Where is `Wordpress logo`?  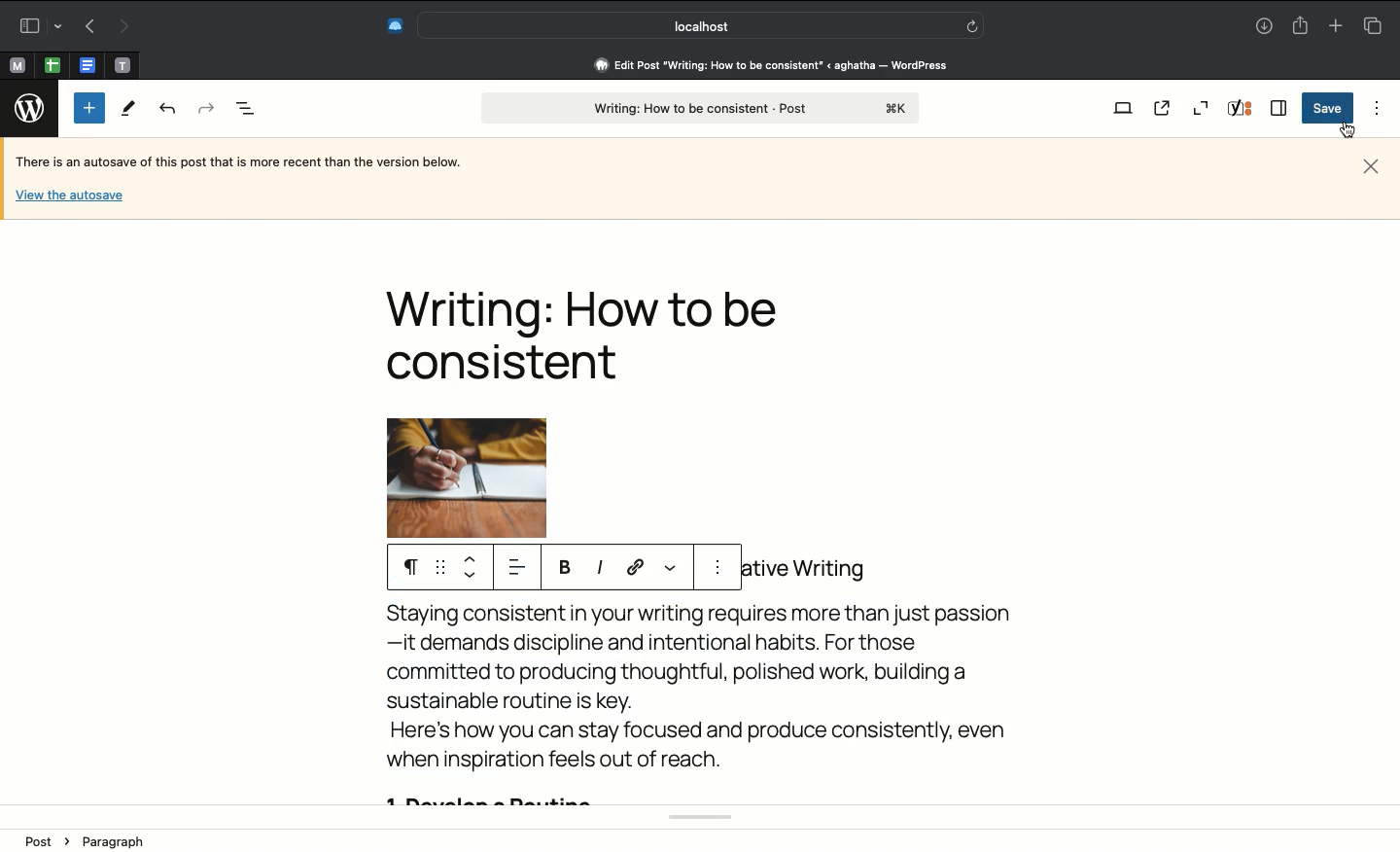
Wordpress logo is located at coordinates (29, 108).